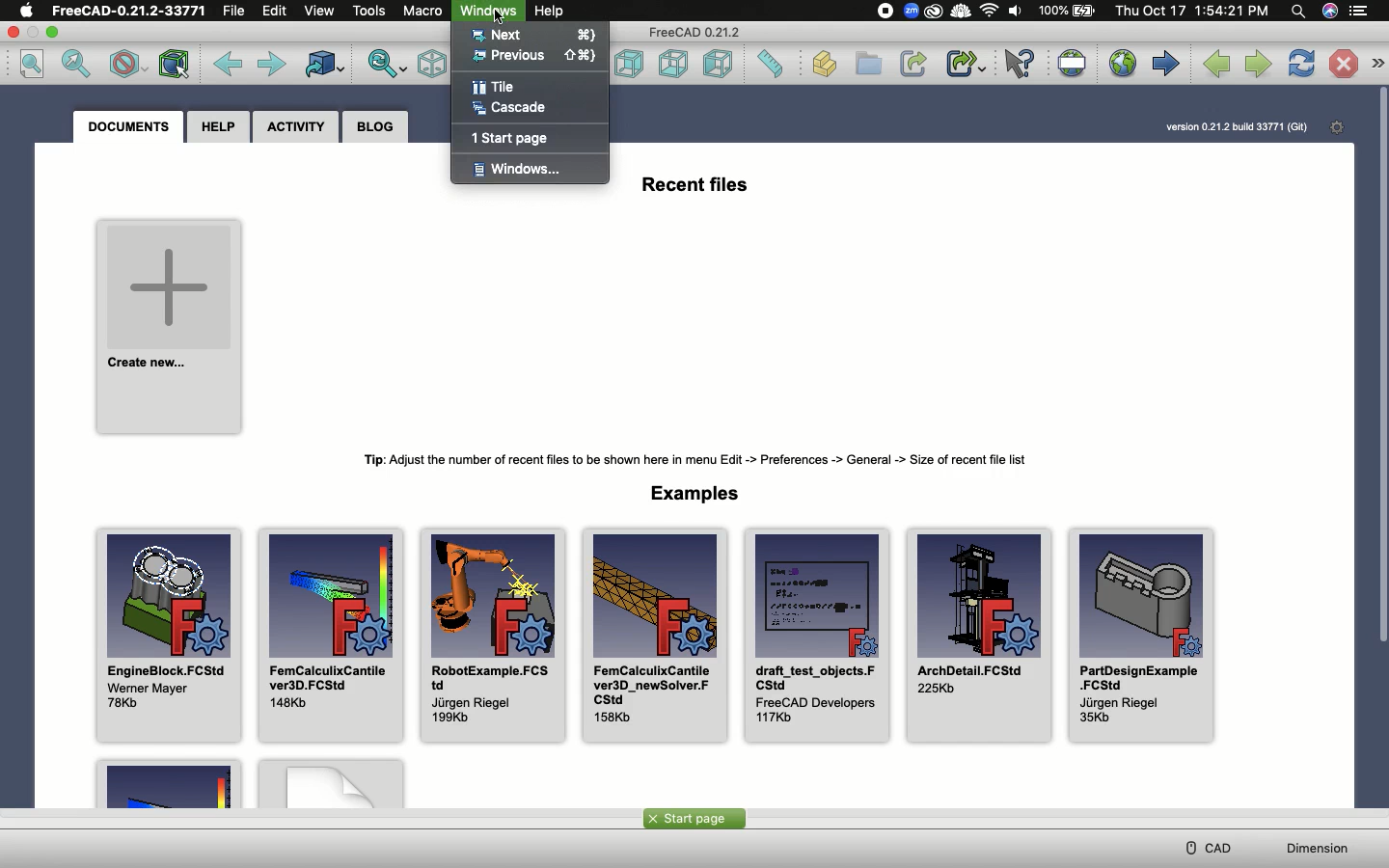 Image resolution: width=1389 pixels, height=868 pixels. Describe the element at coordinates (555, 13) in the screenshot. I see `Help` at that location.